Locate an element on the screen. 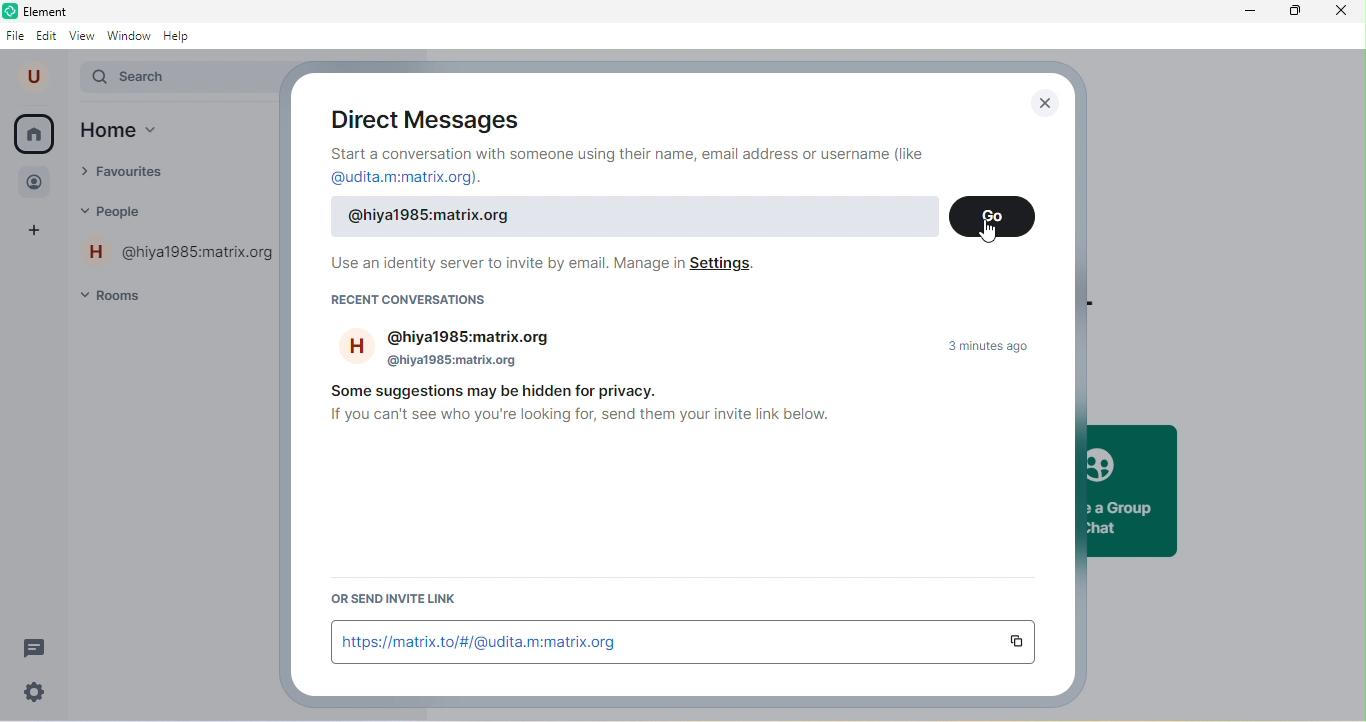 The height and width of the screenshot is (722, 1366). help is located at coordinates (182, 36).